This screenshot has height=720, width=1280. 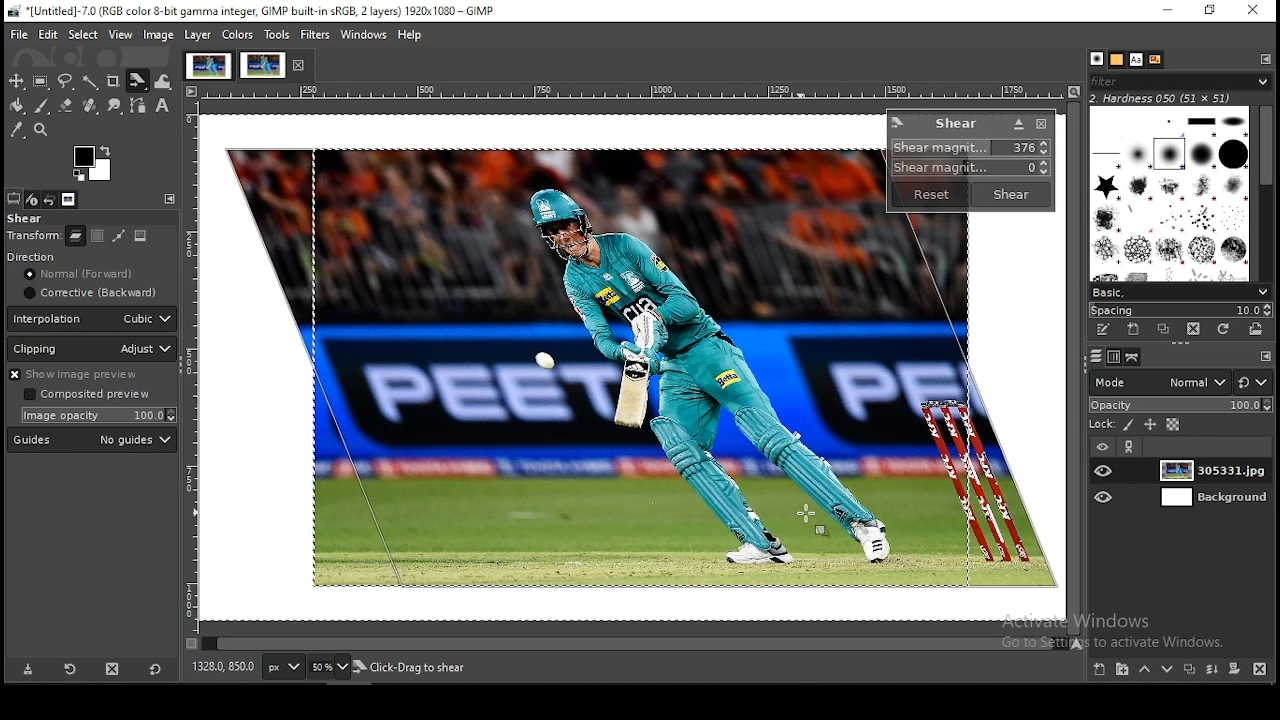 What do you see at coordinates (1249, 11) in the screenshot?
I see `close window` at bounding box center [1249, 11].